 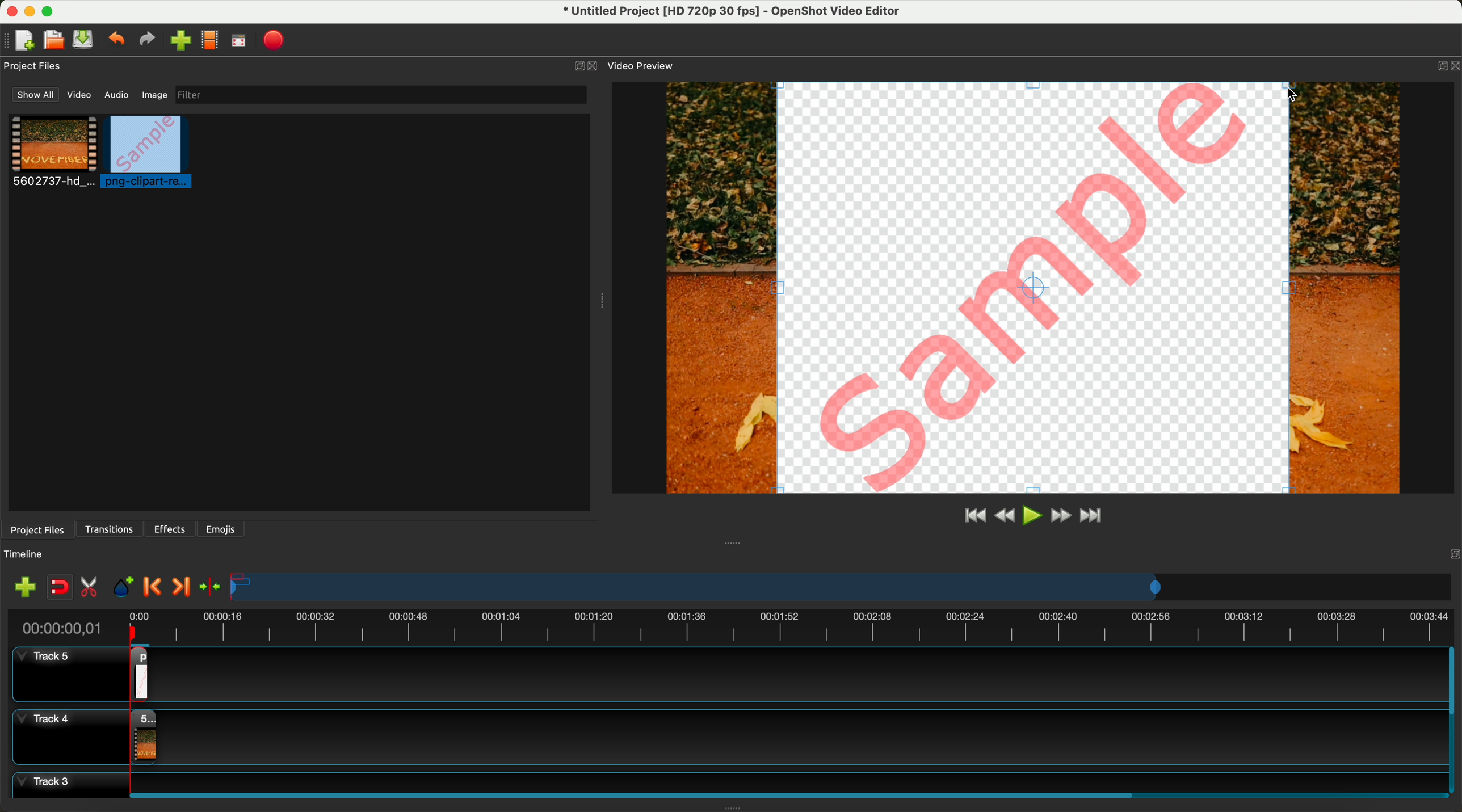 I want to click on play, so click(x=1032, y=515).